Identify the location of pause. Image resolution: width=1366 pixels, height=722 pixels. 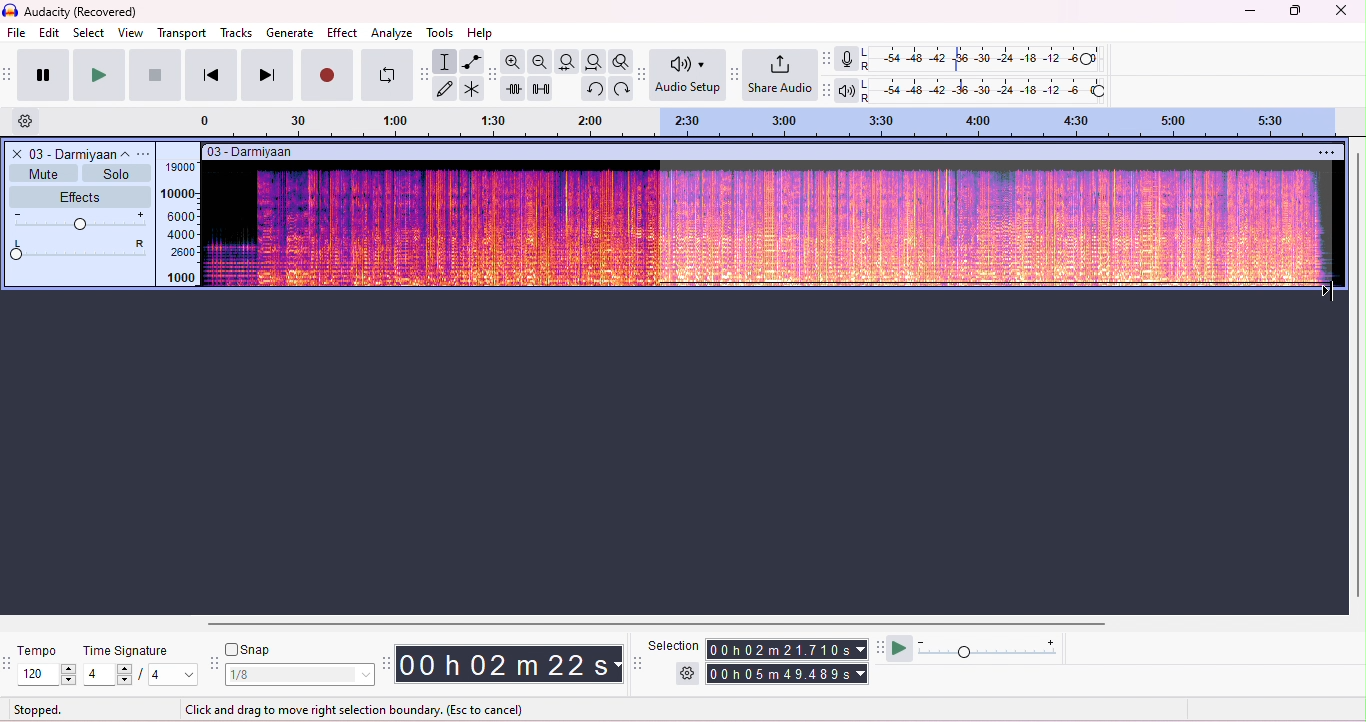
(40, 74).